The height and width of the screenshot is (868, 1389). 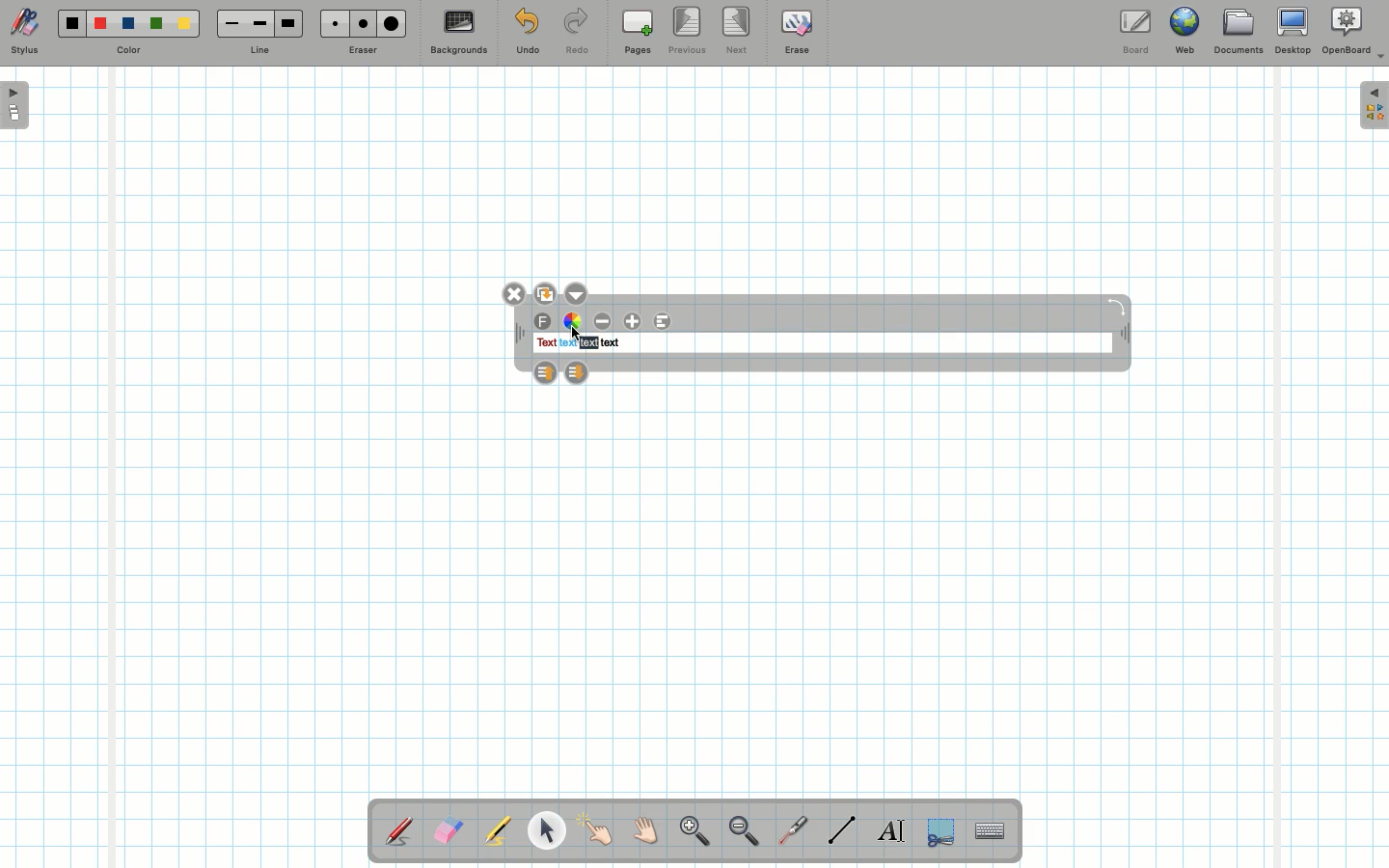 I want to click on Color wheel, so click(x=572, y=321).